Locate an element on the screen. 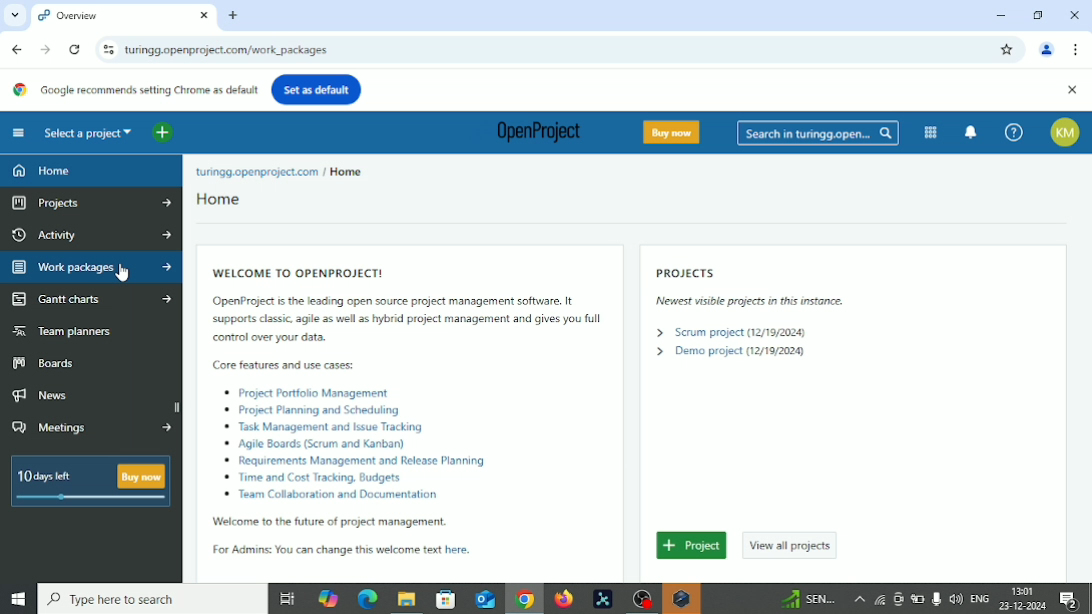  View all projects is located at coordinates (792, 546).